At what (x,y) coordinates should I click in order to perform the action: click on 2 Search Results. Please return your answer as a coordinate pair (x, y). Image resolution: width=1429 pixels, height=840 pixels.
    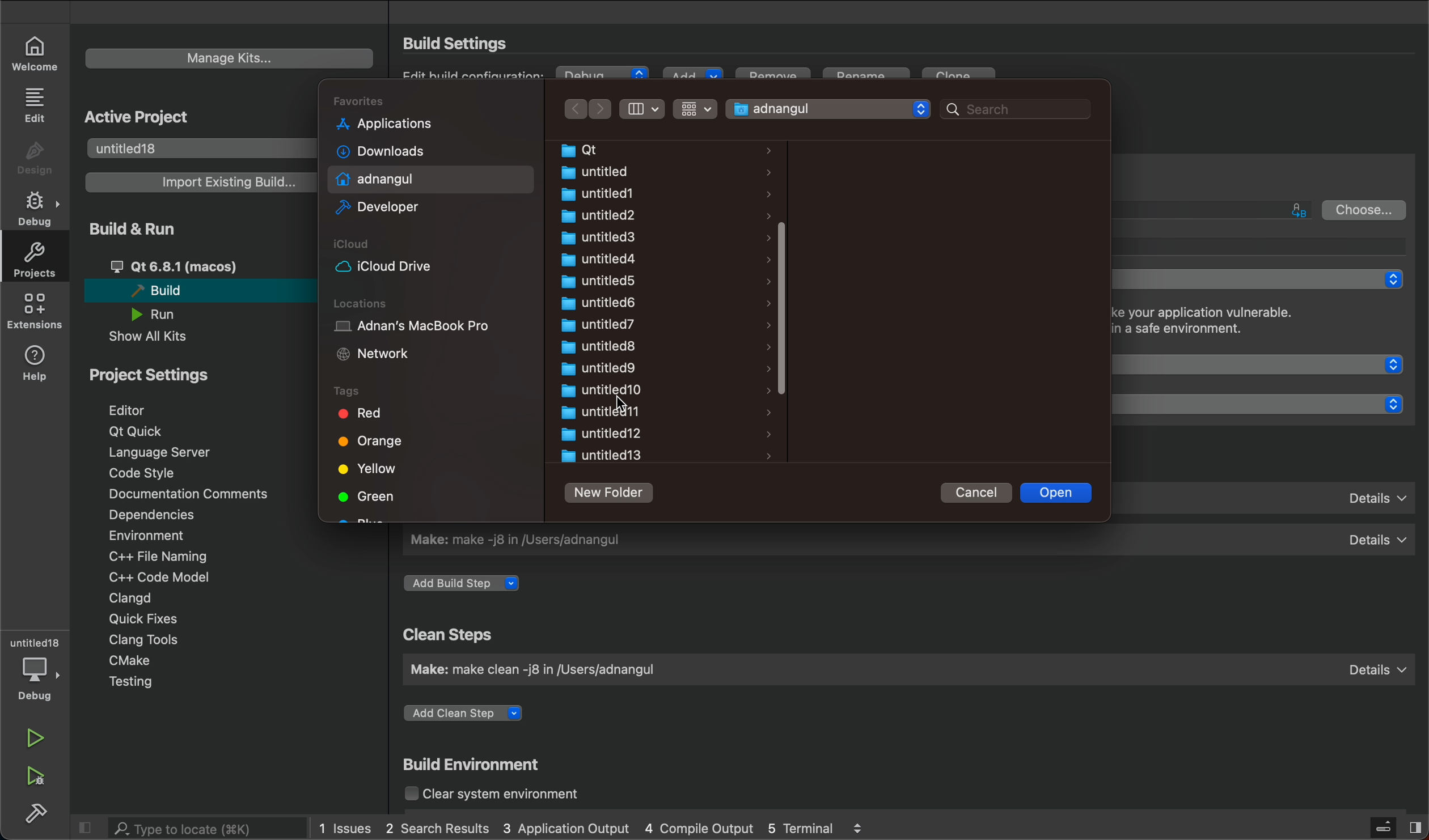
    Looking at the image, I should click on (436, 826).